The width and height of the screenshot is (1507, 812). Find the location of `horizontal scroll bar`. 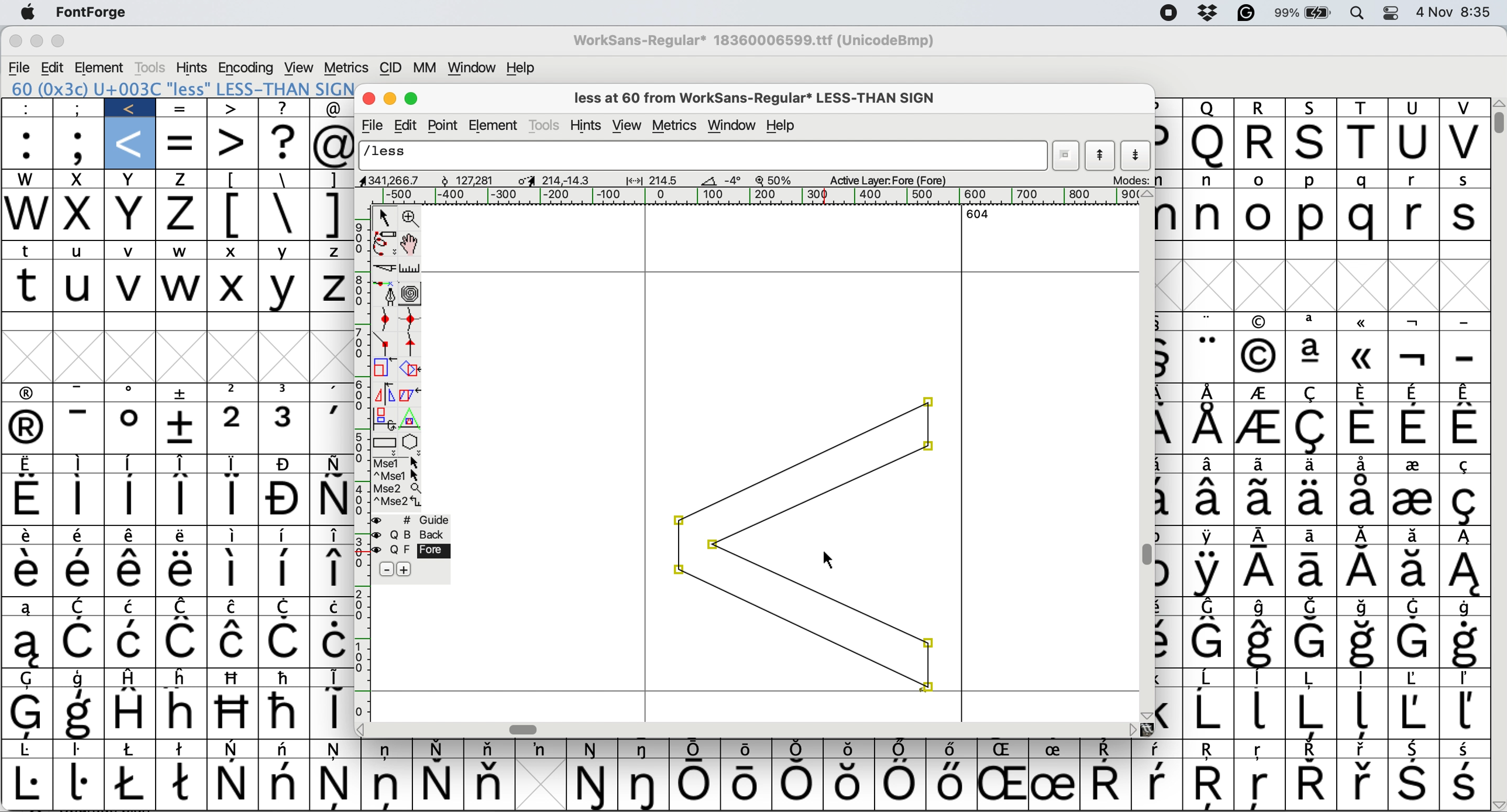

horizontal scroll bar is located at coordinates (744, 728).